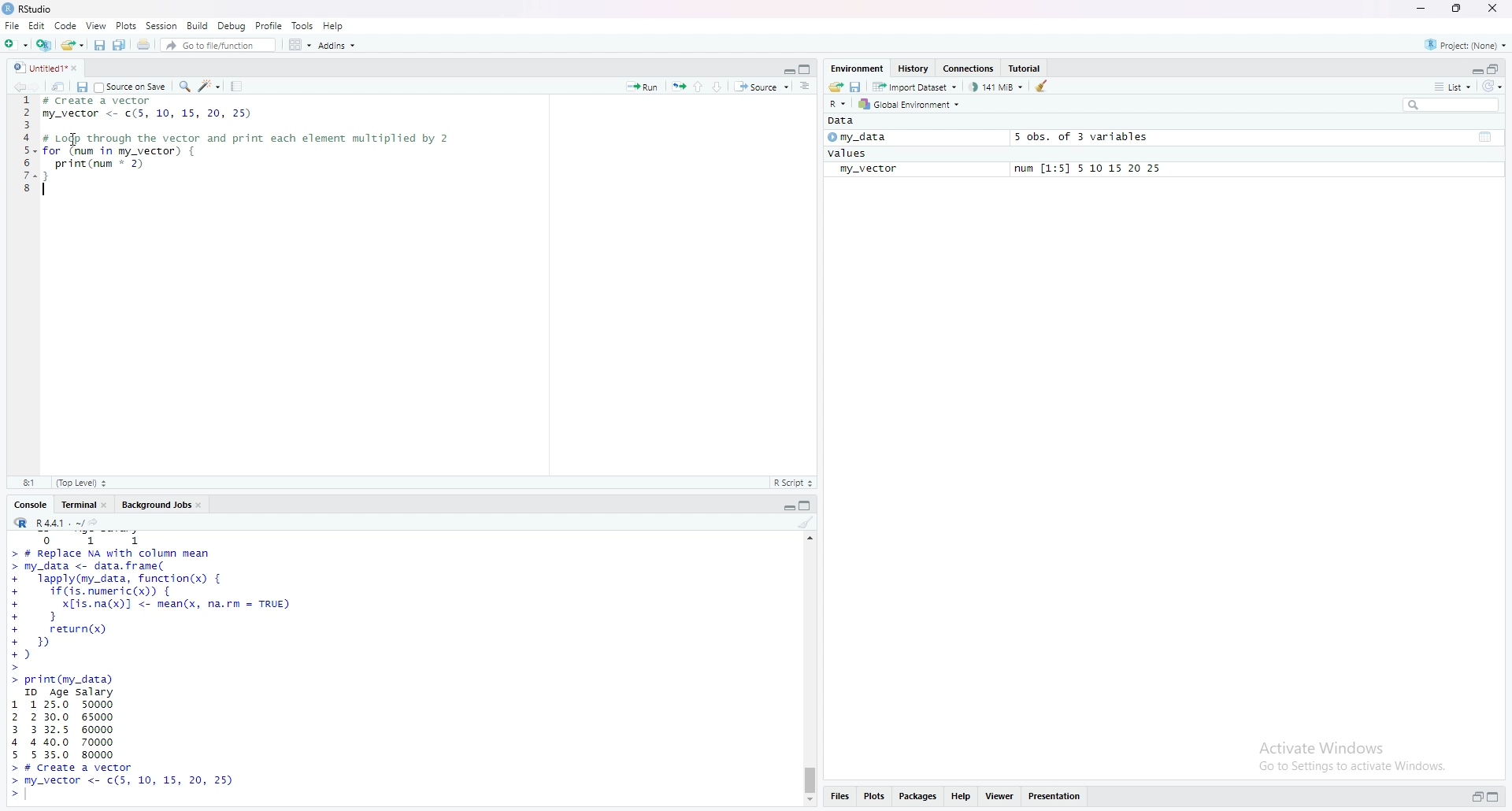 The image size is (1512, 811). What do you see at coordinates (98, 46) in the screenshot?
I see `save current document` at bounding box center [98, 46].